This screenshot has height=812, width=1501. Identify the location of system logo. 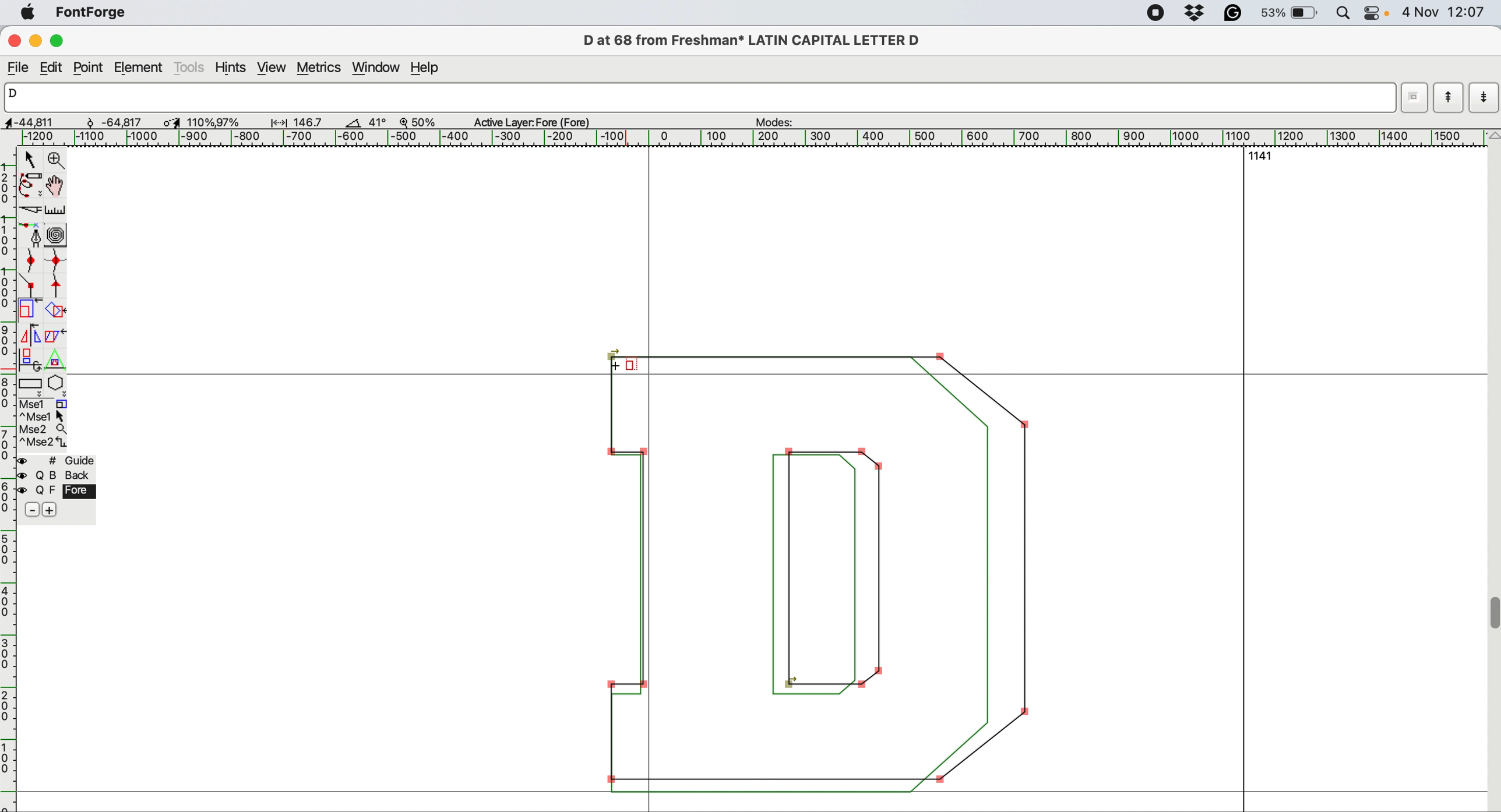
(29, 14).